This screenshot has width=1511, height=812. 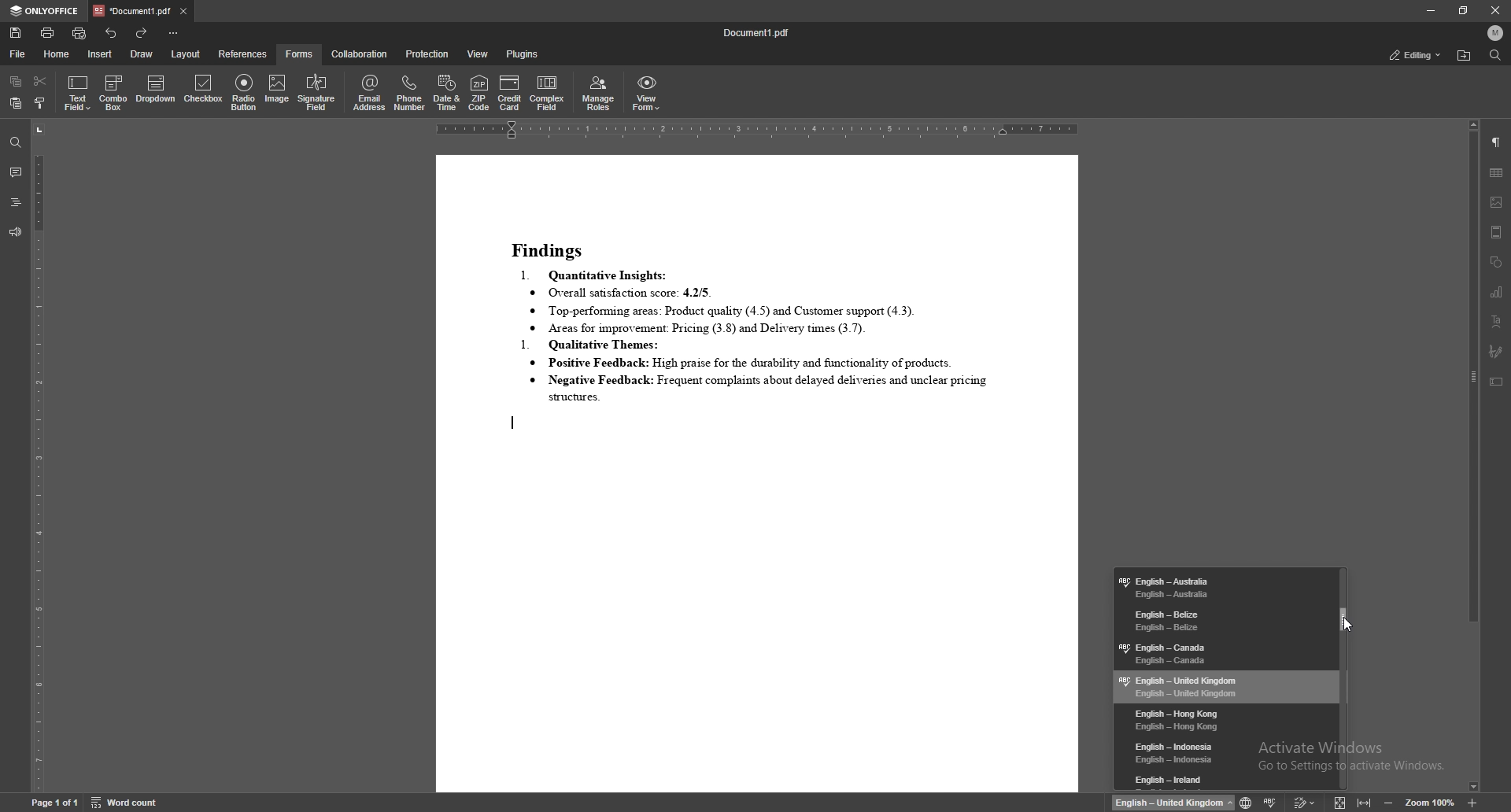 I want to click on feedback, so click(x=15, y=233).